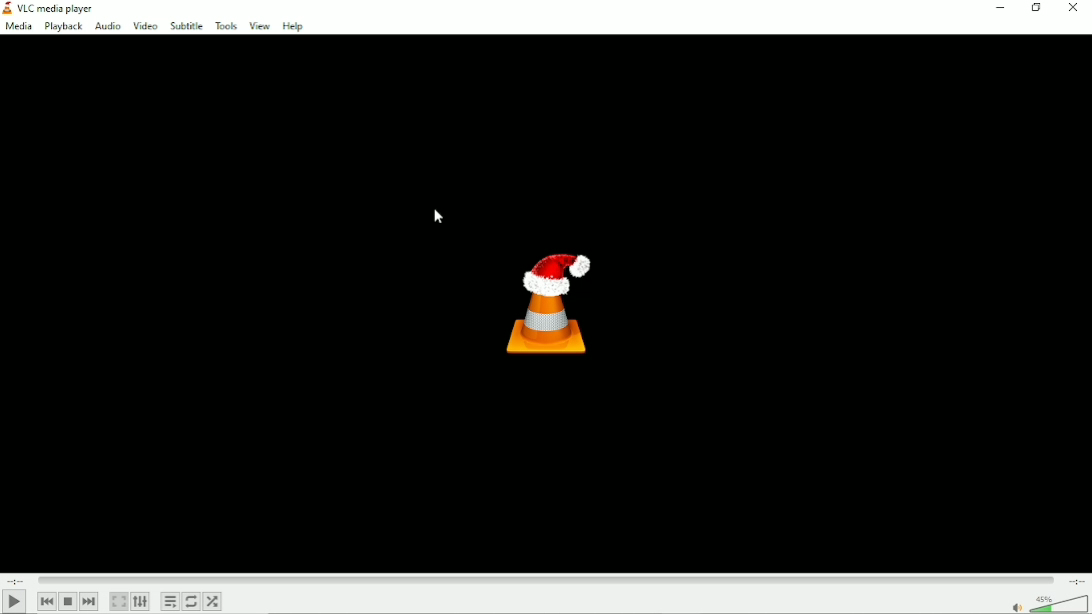 This screenshot has height=614, width=1092. What do you see at coordinates (62, 27) in the screenshot?
I see `Playback` at bounding box center [62, 27].